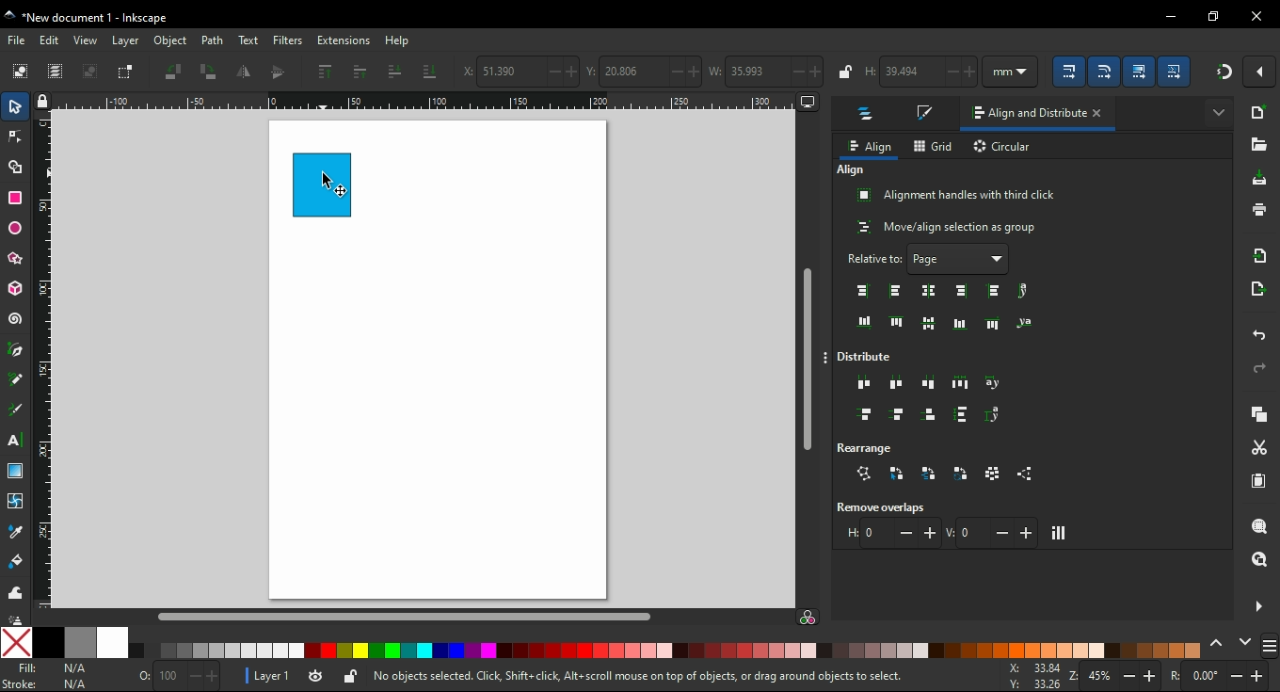  I want to click on next, so click(1245, 641).